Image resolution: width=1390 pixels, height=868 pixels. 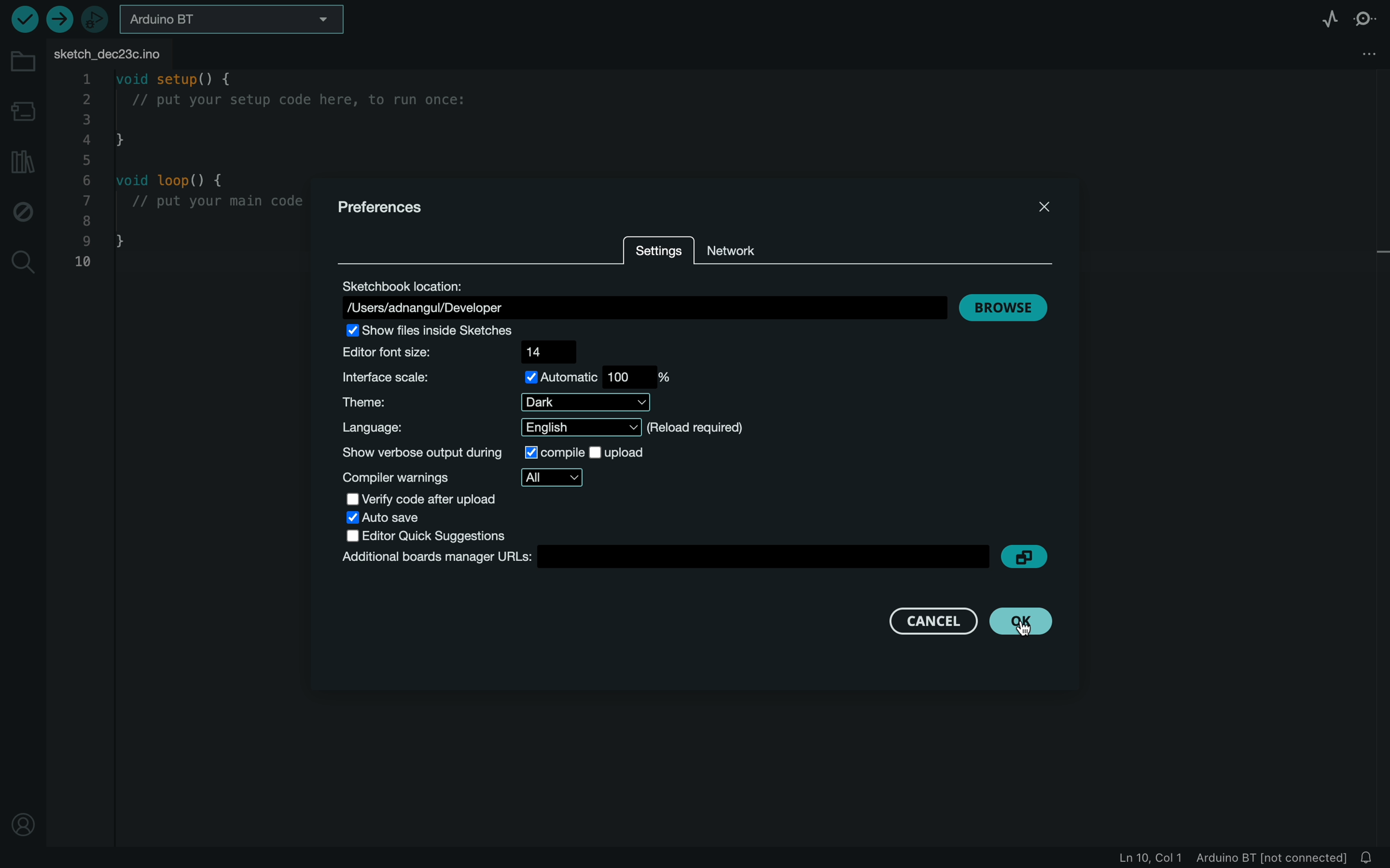 What do you see at coordinates (59, 18) in the screenshot?
I see `upload` at bounding box center [59, 18].